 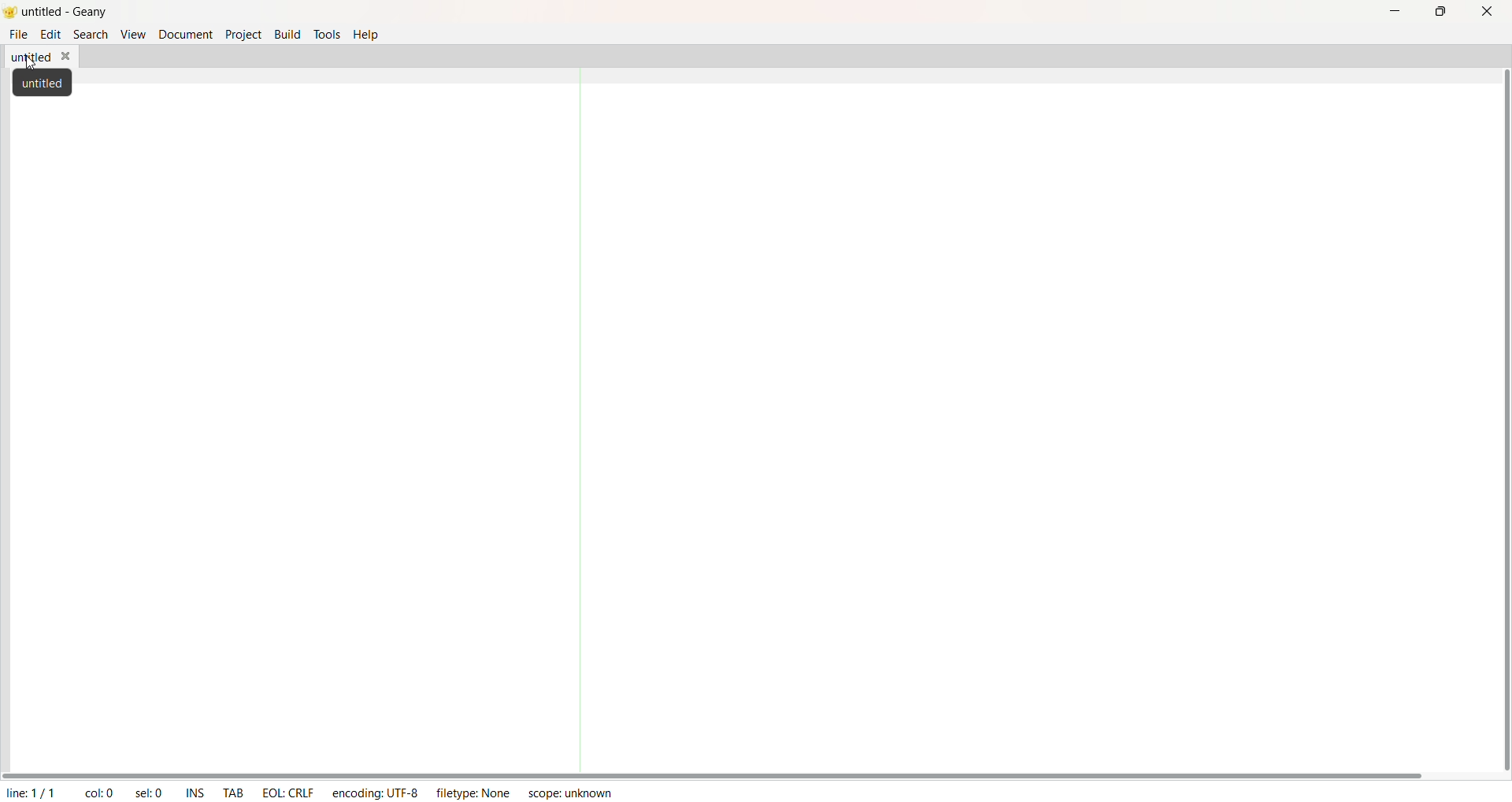 I want to click on untitled, so click(x=43, y=84).